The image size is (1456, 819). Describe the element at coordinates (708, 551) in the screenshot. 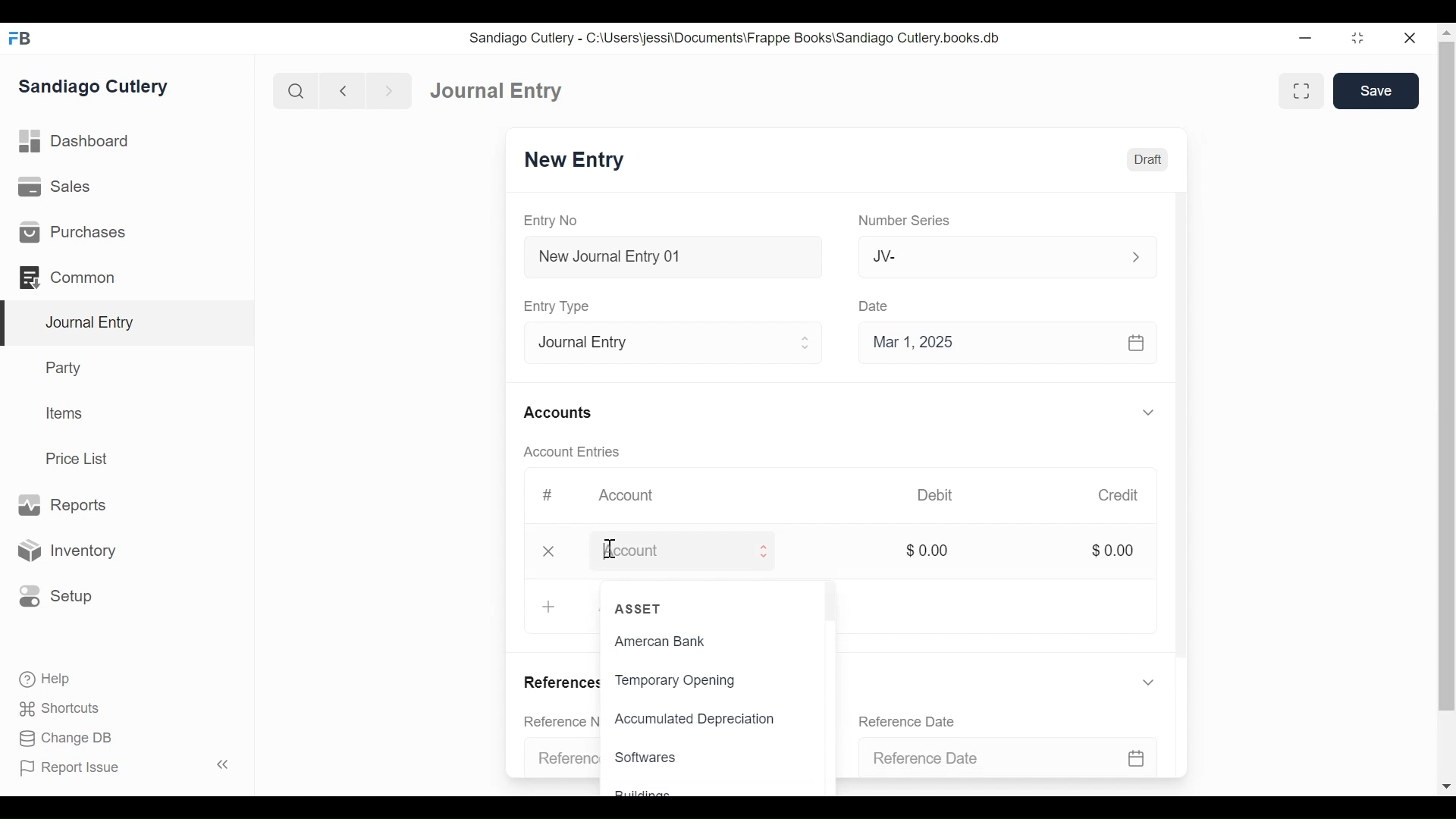

I see `Account` at that location.